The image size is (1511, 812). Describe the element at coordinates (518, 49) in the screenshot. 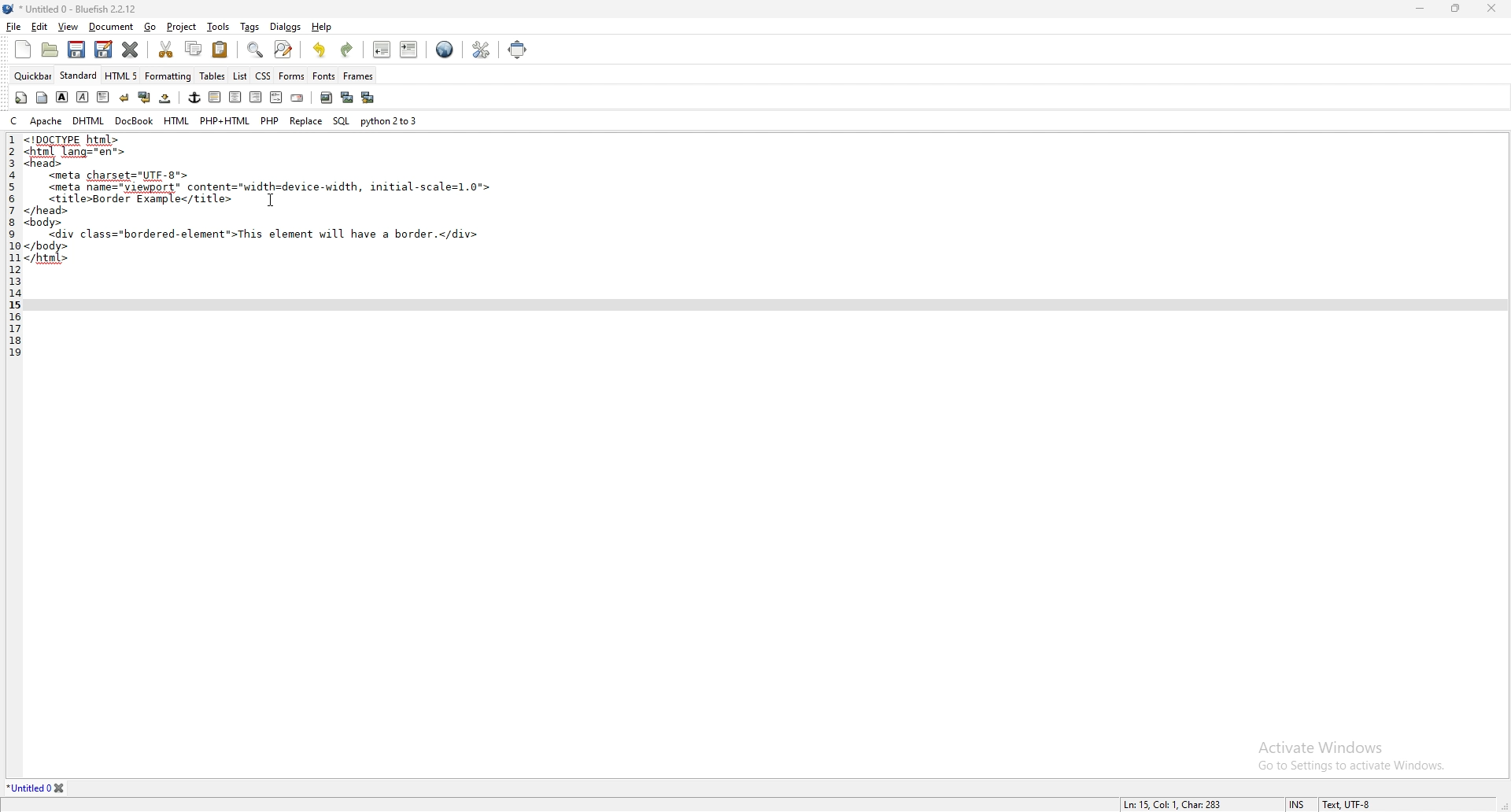

I see `full screen` at that location.